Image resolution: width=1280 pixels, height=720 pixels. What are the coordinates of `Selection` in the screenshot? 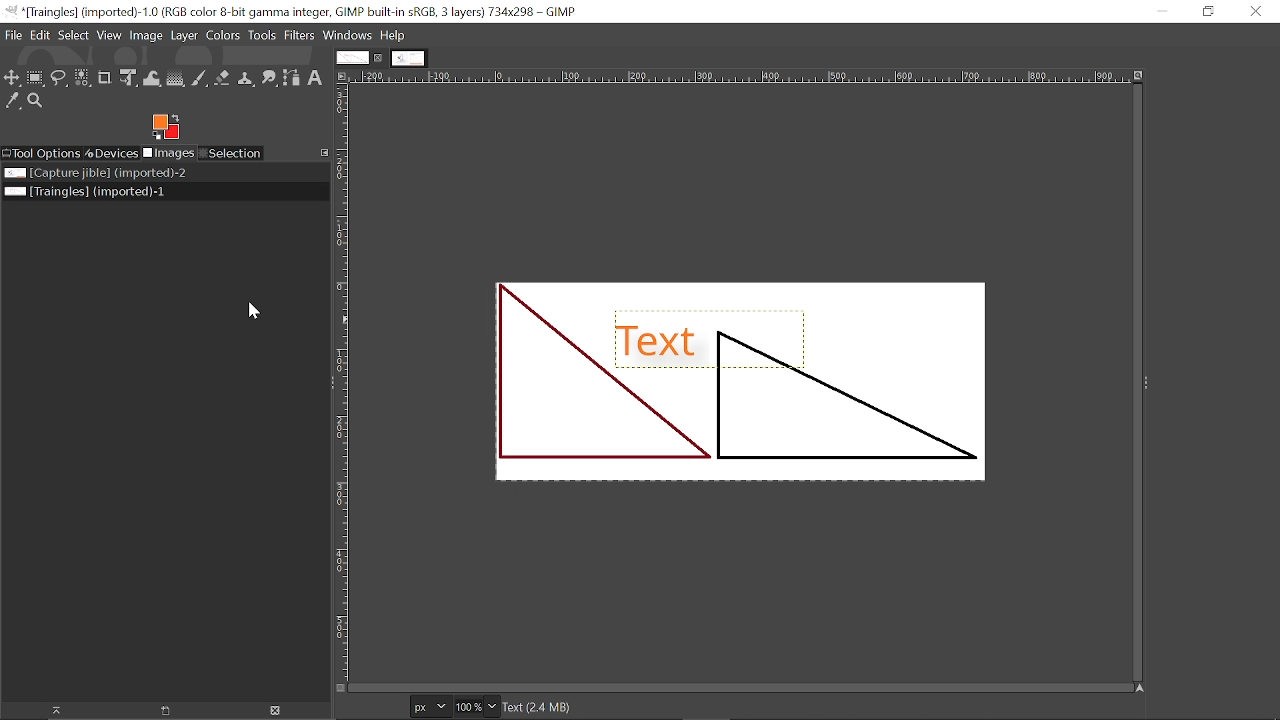 It's located at (232, 153).